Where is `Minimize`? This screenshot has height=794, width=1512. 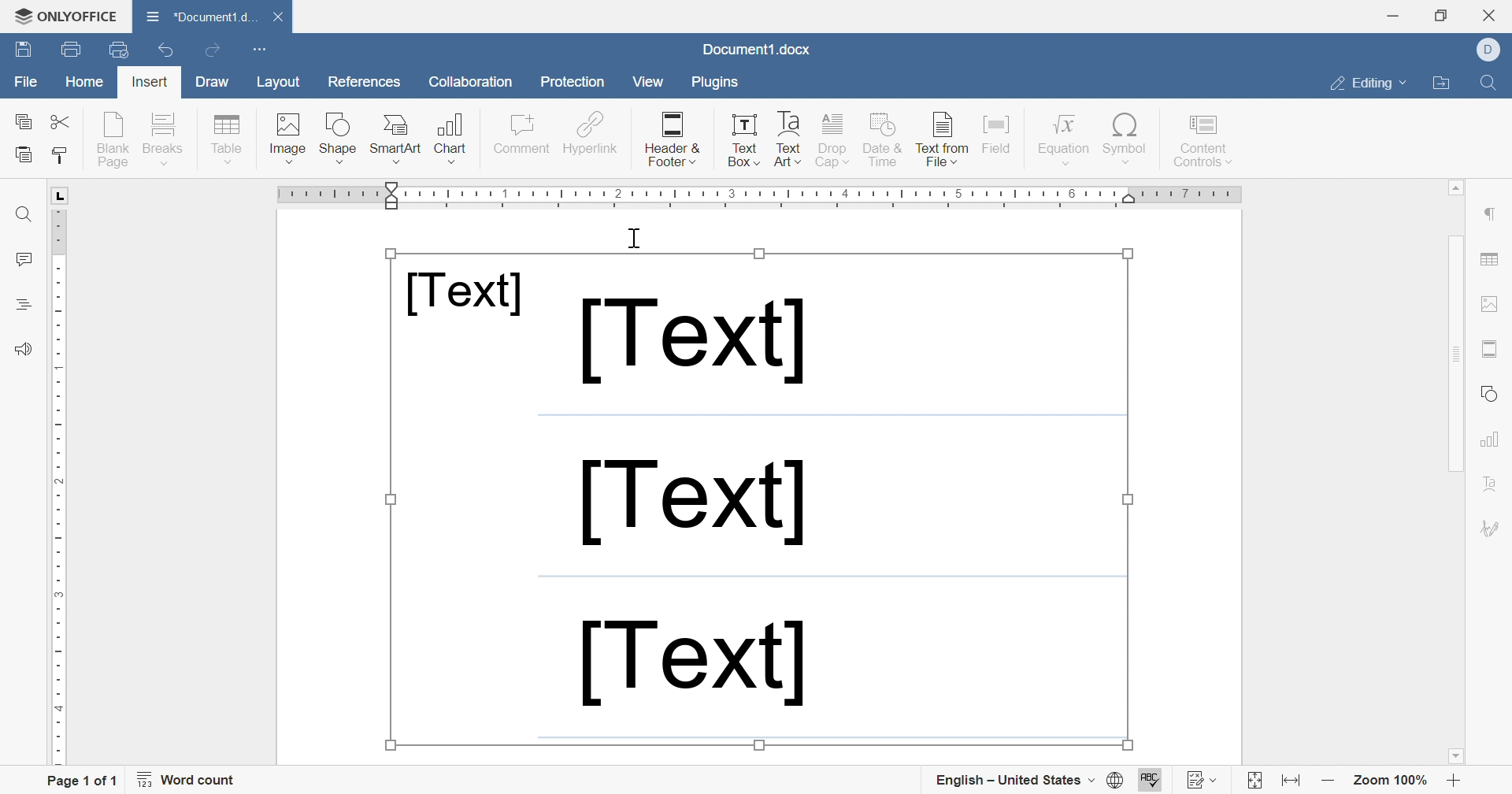 Minimize is located at coordinates (1393, 17).